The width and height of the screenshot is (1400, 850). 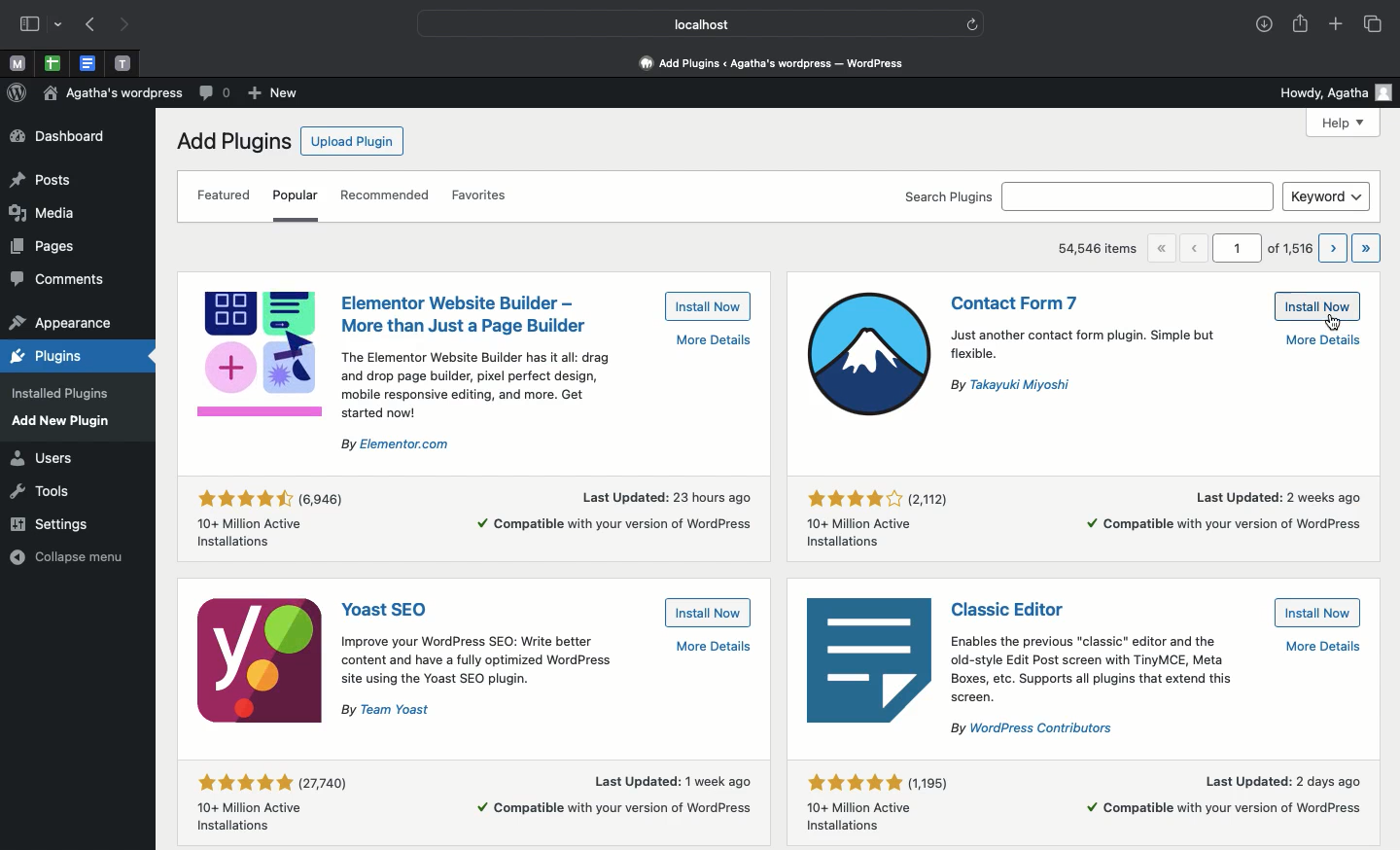 I want to click on Install now, so click(x=1334, y=322).